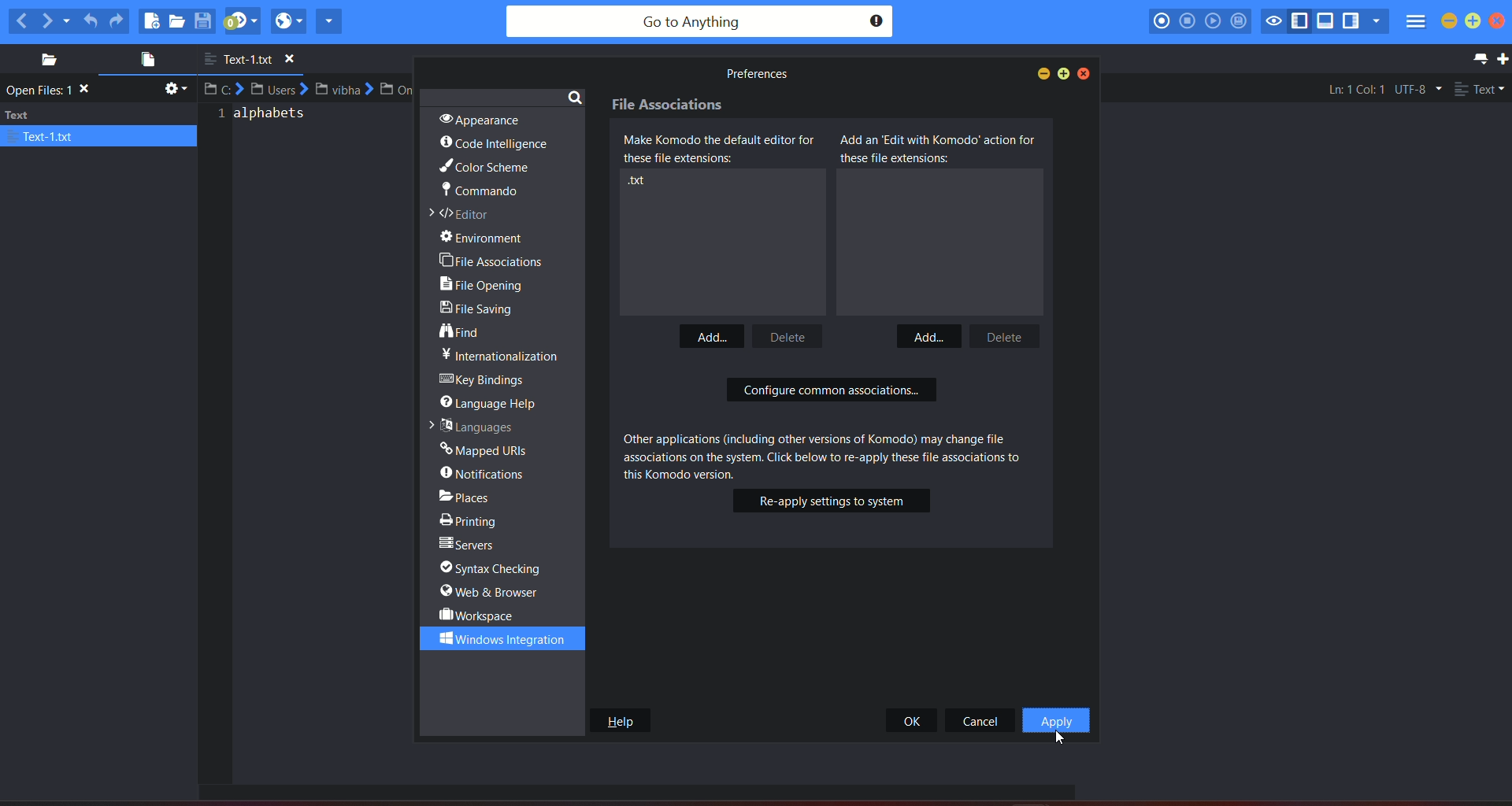  Describe the element at coordinates (931, 335) in the screenshot. I see `Add...` at that location.